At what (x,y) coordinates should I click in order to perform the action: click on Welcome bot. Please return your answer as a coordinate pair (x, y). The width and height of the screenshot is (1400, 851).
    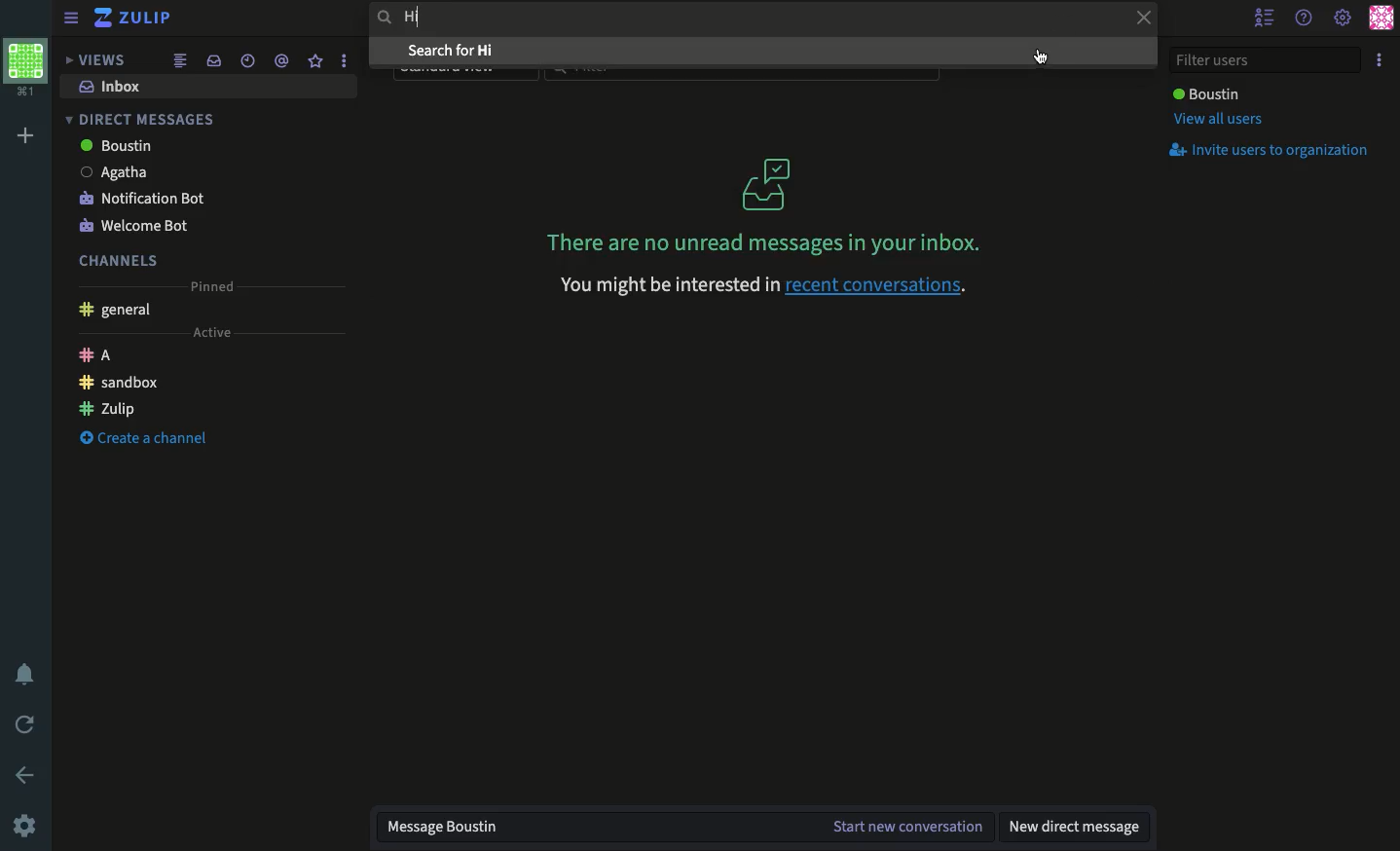
    Looking at the image, I should click on (137, 228).